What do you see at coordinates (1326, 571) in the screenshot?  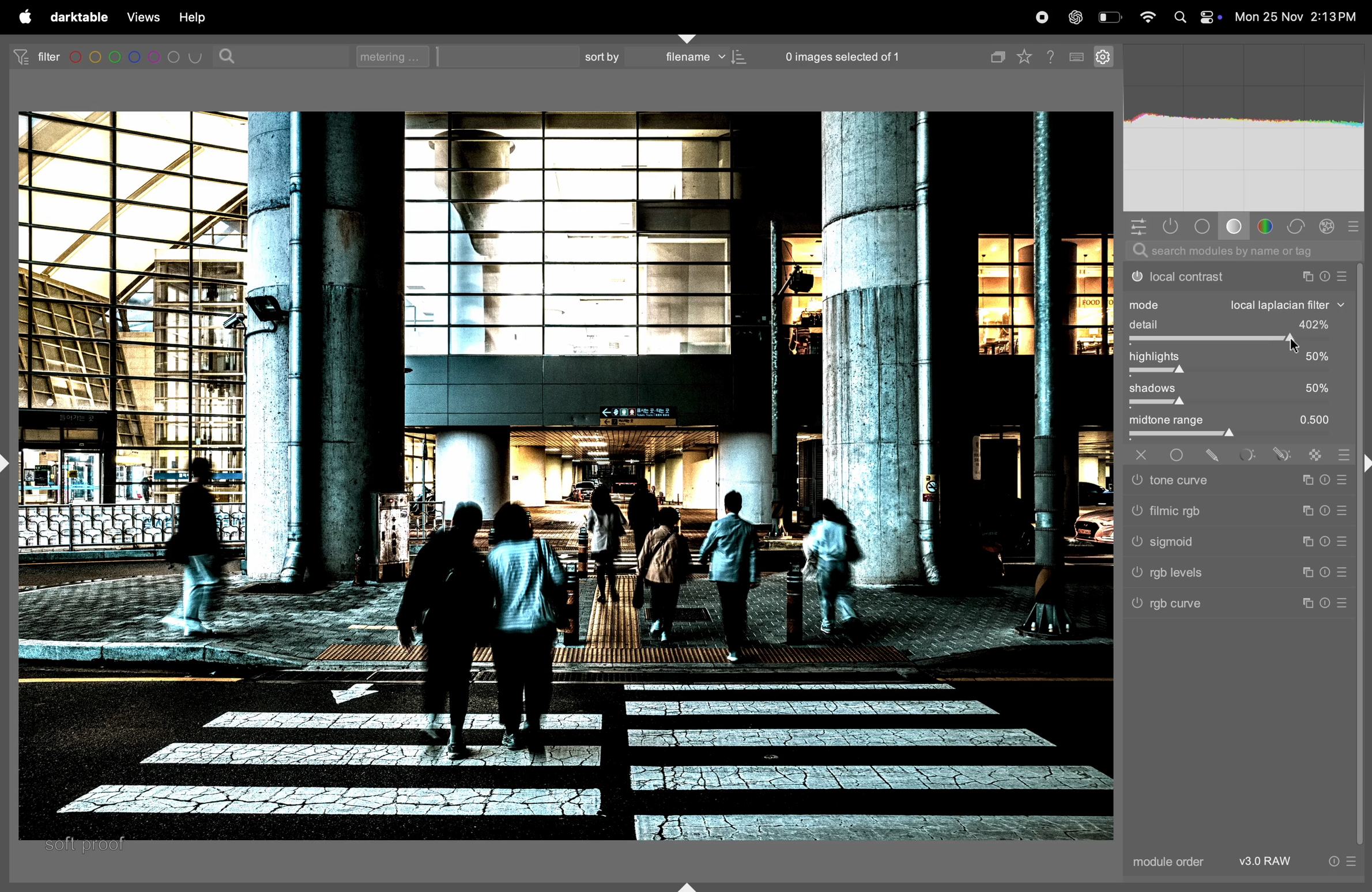 I see `reset` at bounding box center [1326, 571].